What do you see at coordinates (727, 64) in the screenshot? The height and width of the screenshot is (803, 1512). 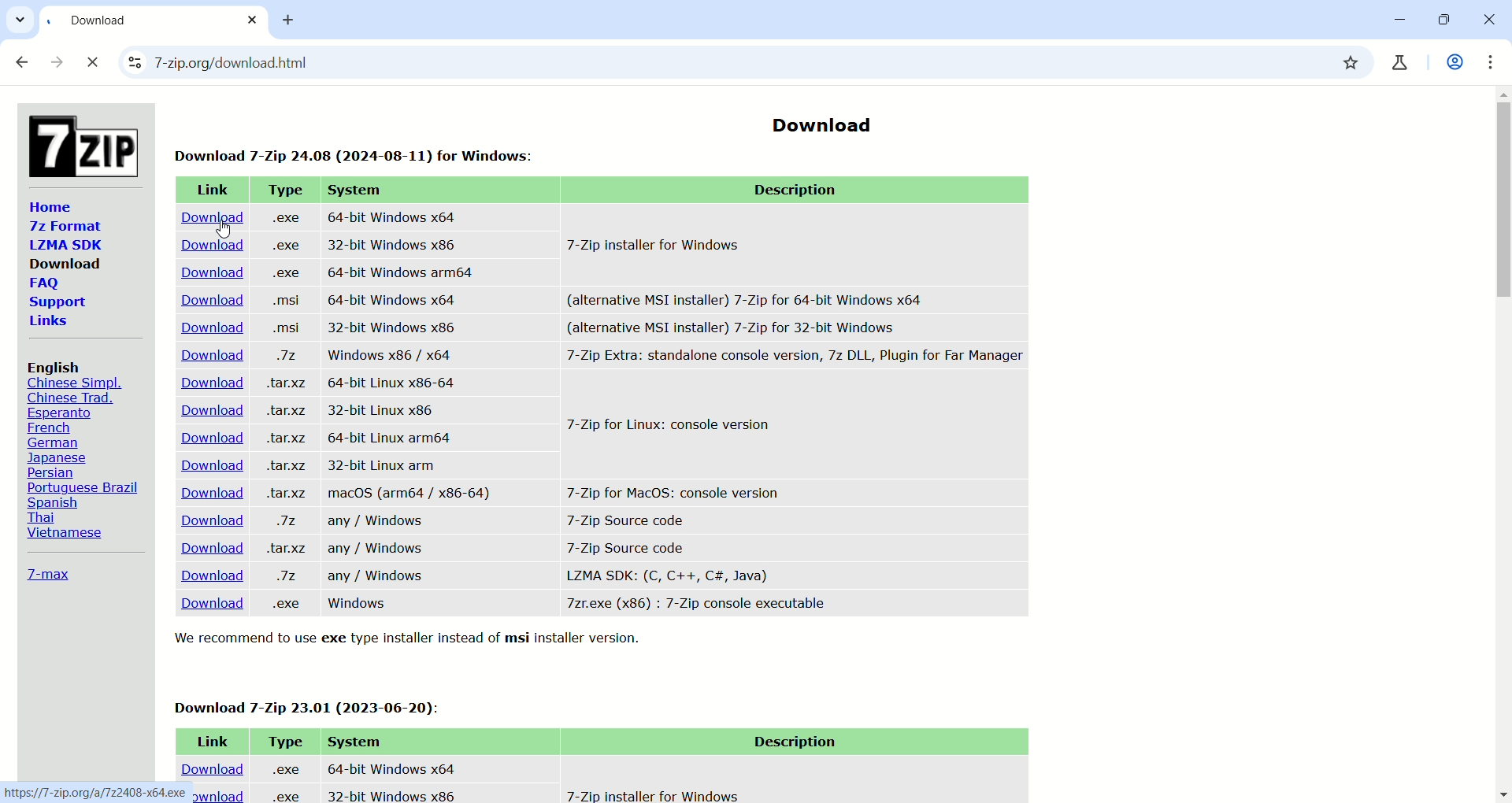 I see `search` at bounding box center [727, 64].